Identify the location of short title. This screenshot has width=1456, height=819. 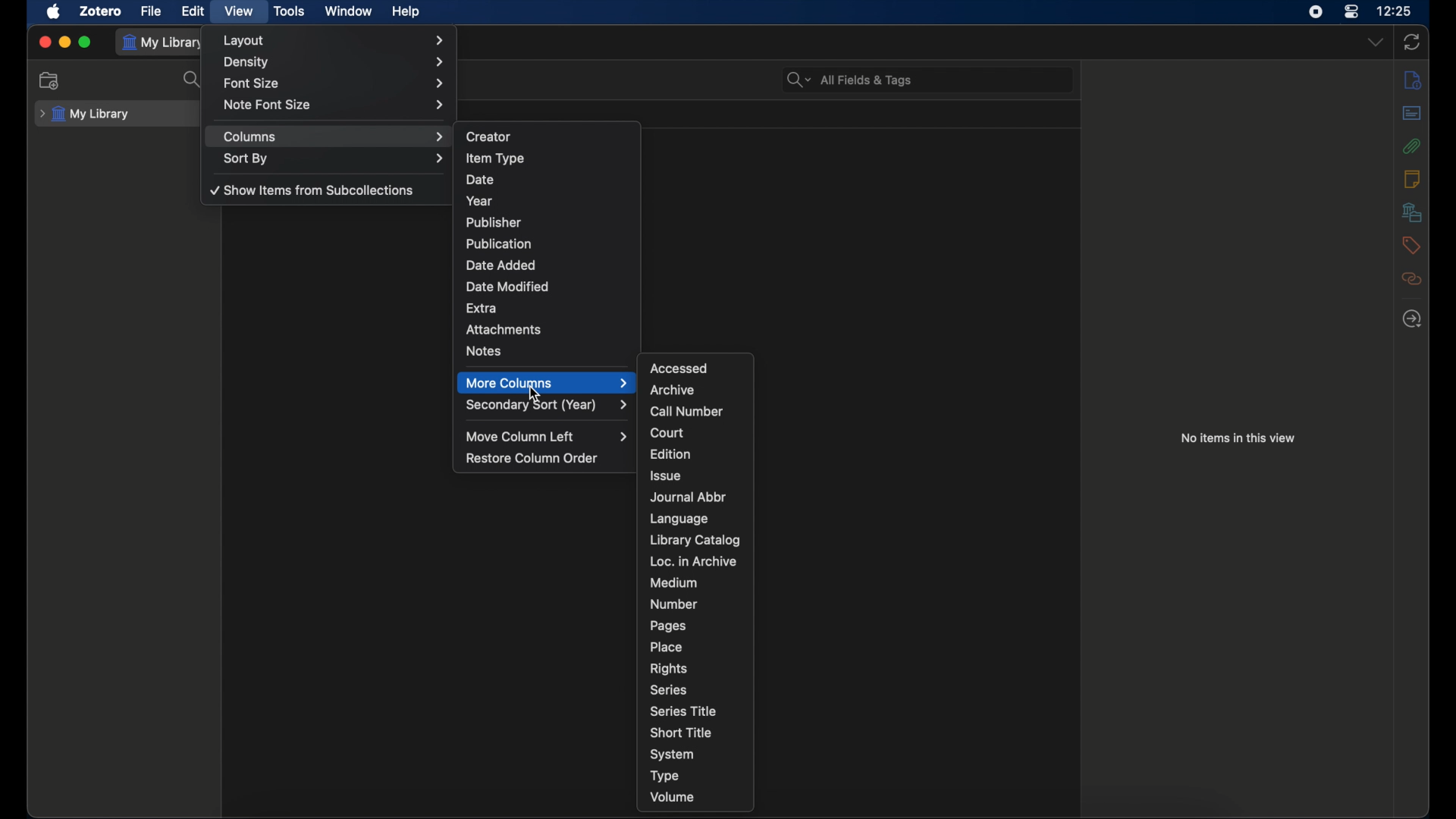
(679, 732).